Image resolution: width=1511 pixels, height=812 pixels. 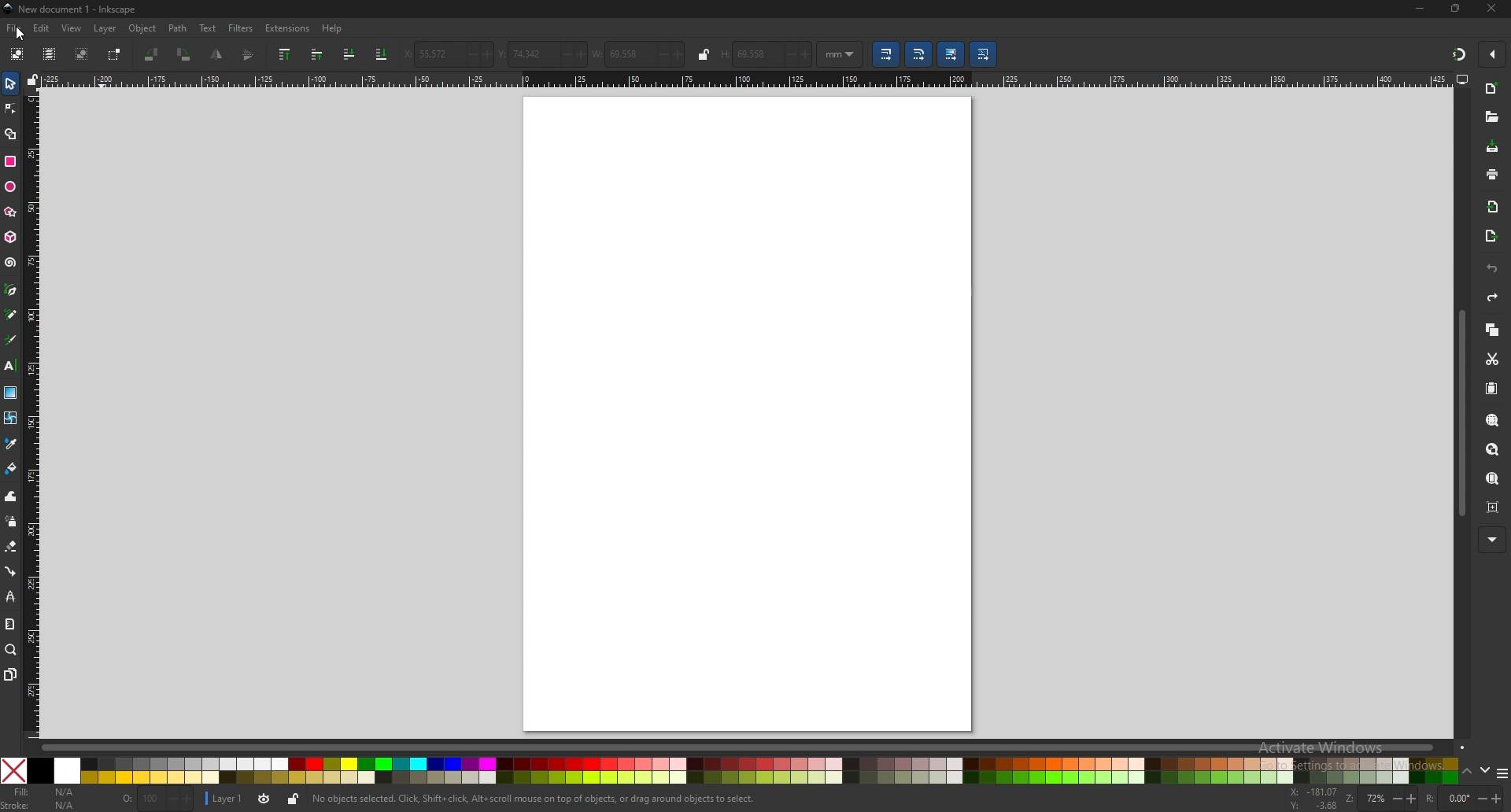 I want to click on more, so click(x=1490, y=539).